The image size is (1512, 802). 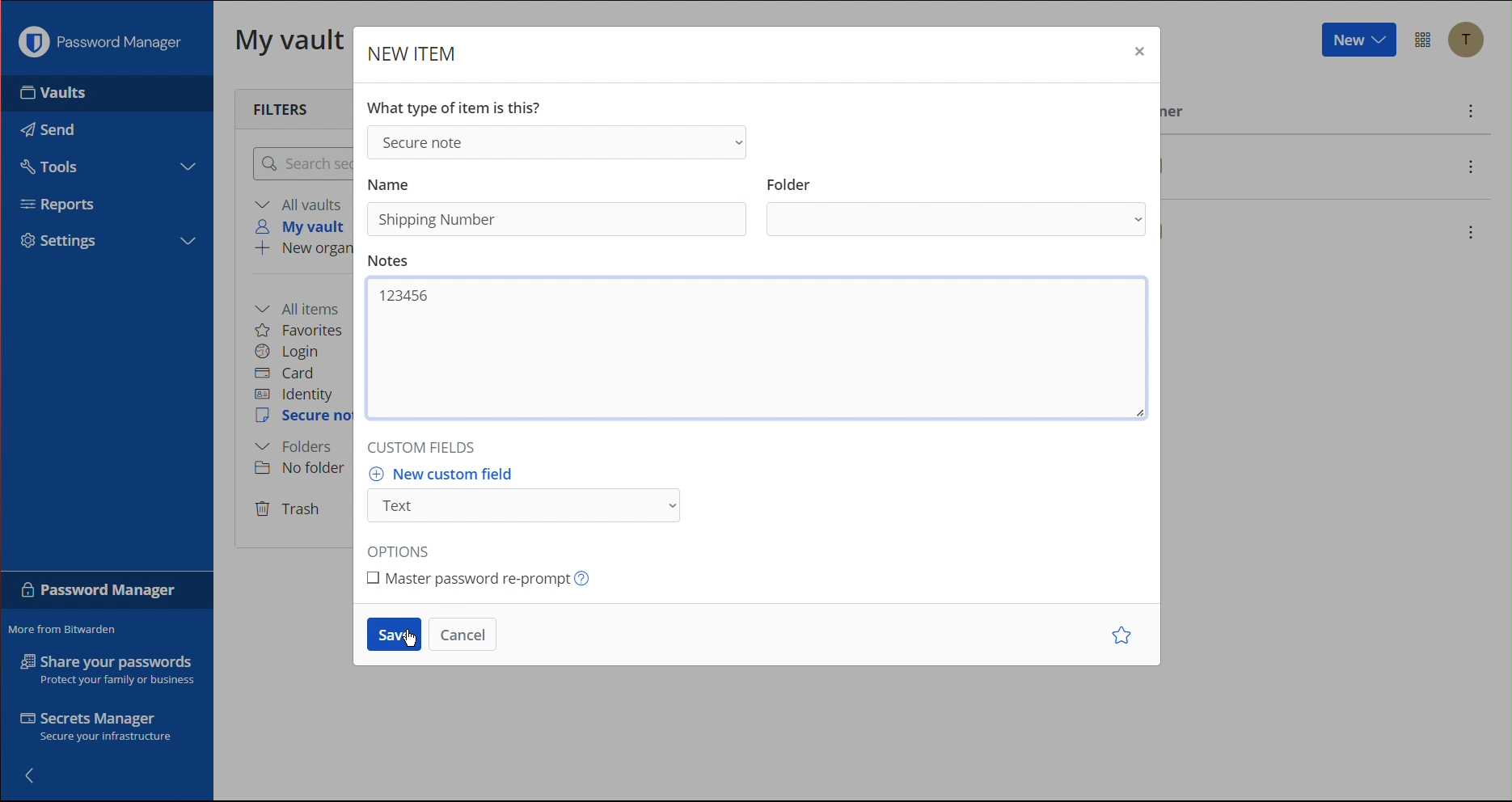 I want to click on 123456, so click(x=404, y=295).